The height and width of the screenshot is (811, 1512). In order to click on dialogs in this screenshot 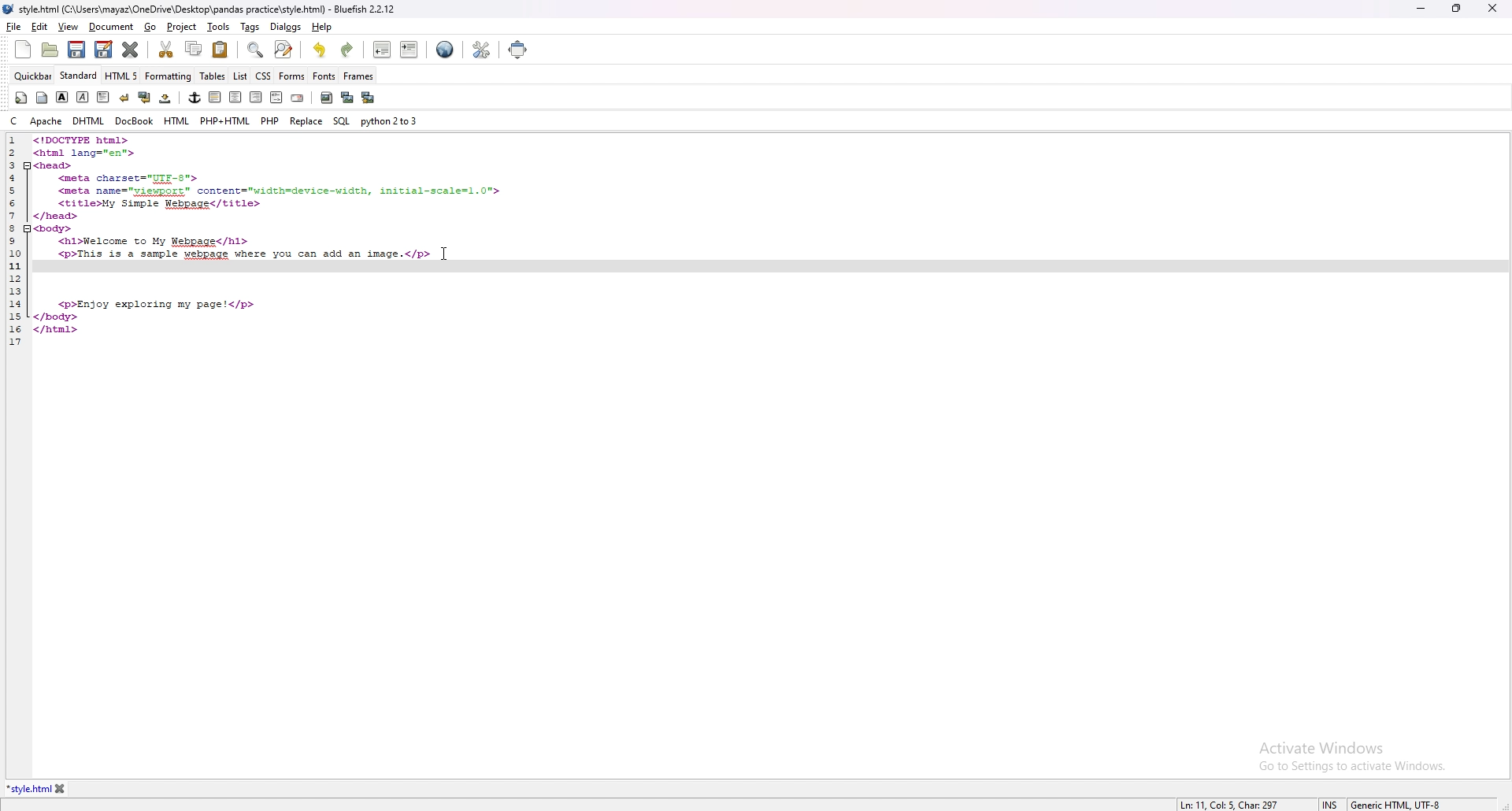, I will do `click(286, 27)`.